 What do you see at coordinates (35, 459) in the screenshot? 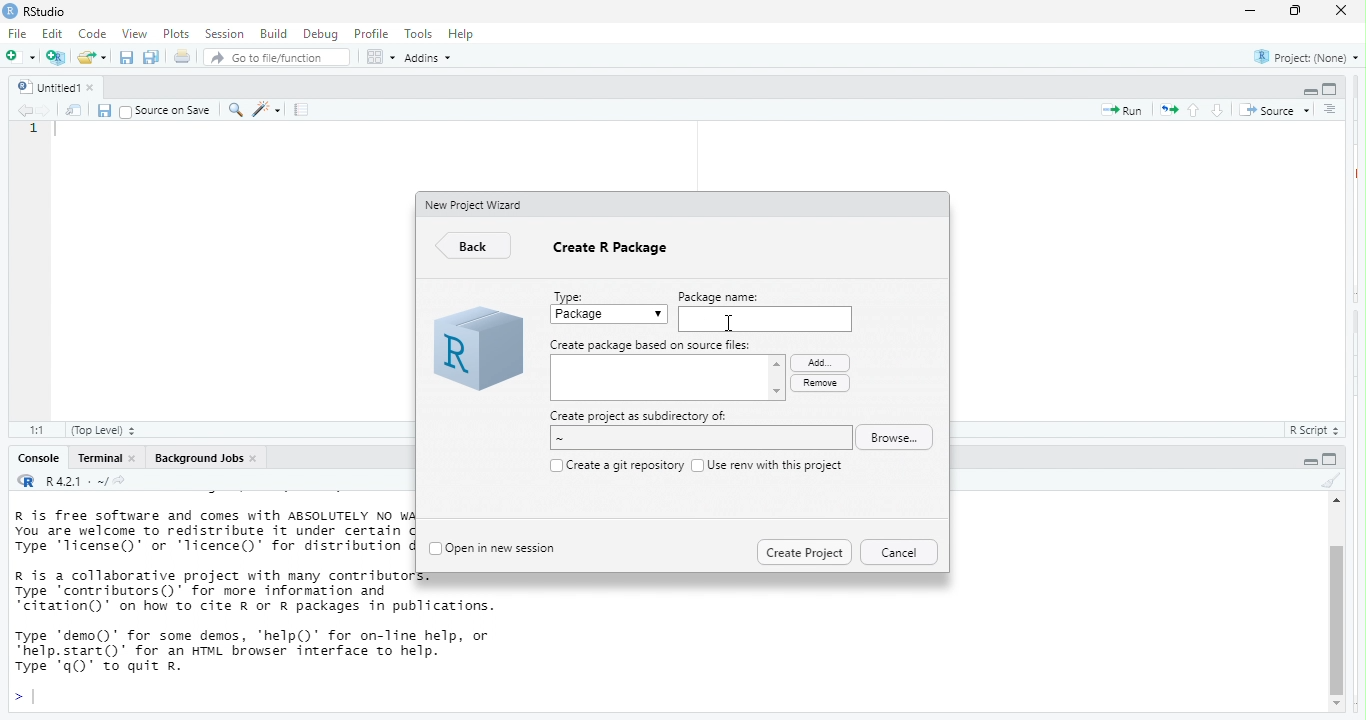
I see `Console` at bounding box center [35, 459].